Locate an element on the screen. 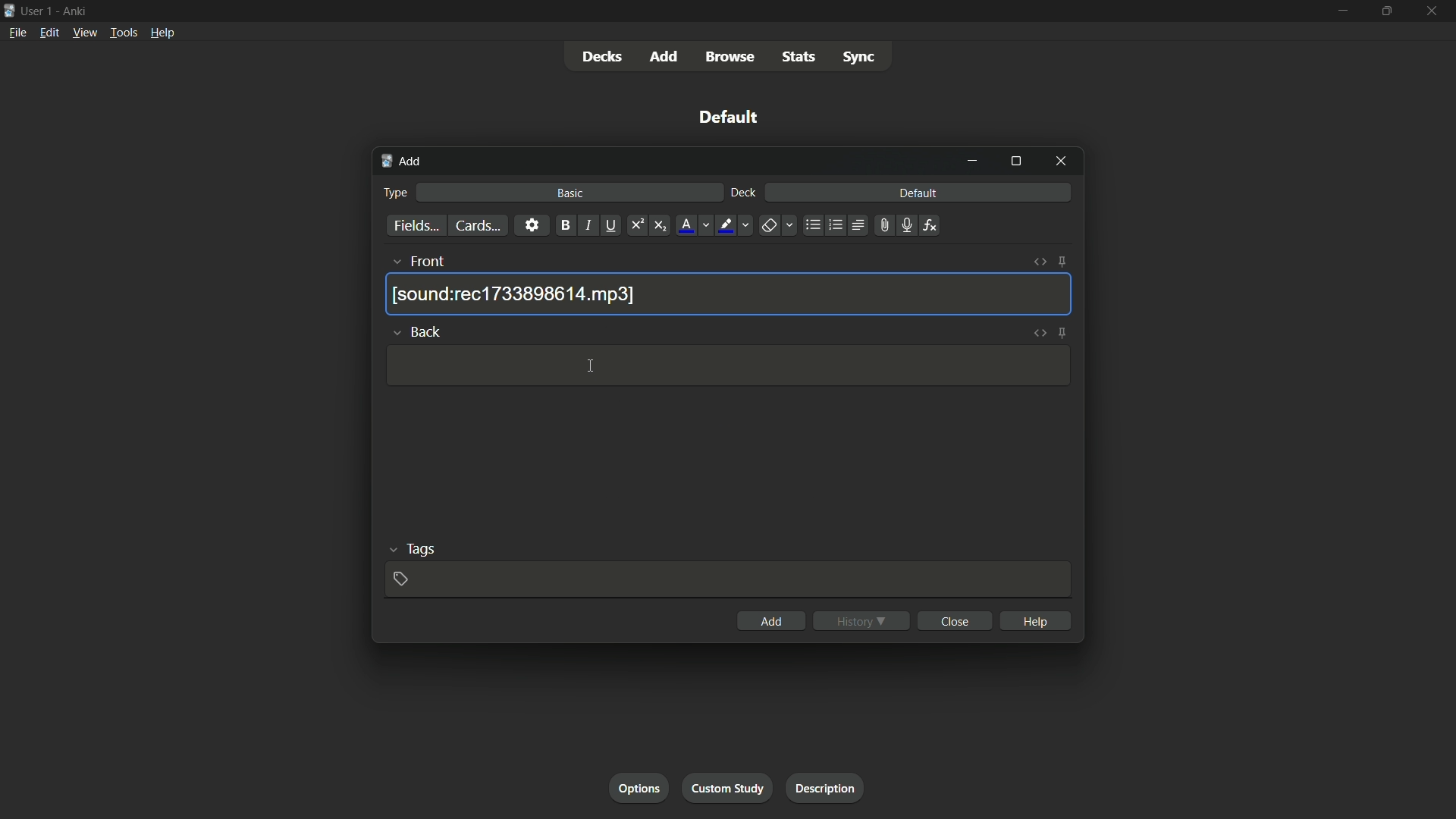 This screenshot has width=1456, height=819. minimize is located at coordinates (1341, 11).